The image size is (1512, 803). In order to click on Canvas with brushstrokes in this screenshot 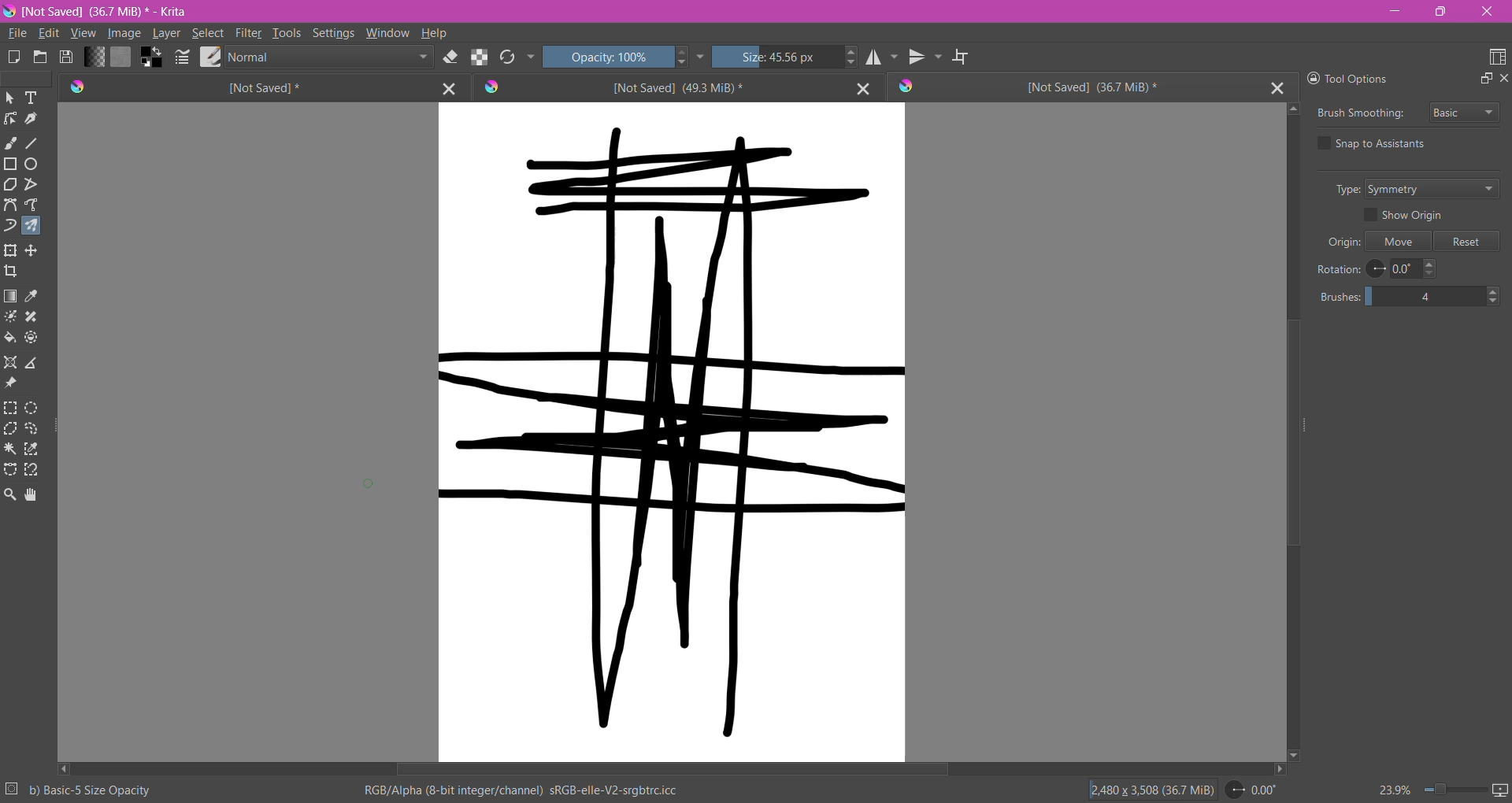, I will do `click(669, 432)`.